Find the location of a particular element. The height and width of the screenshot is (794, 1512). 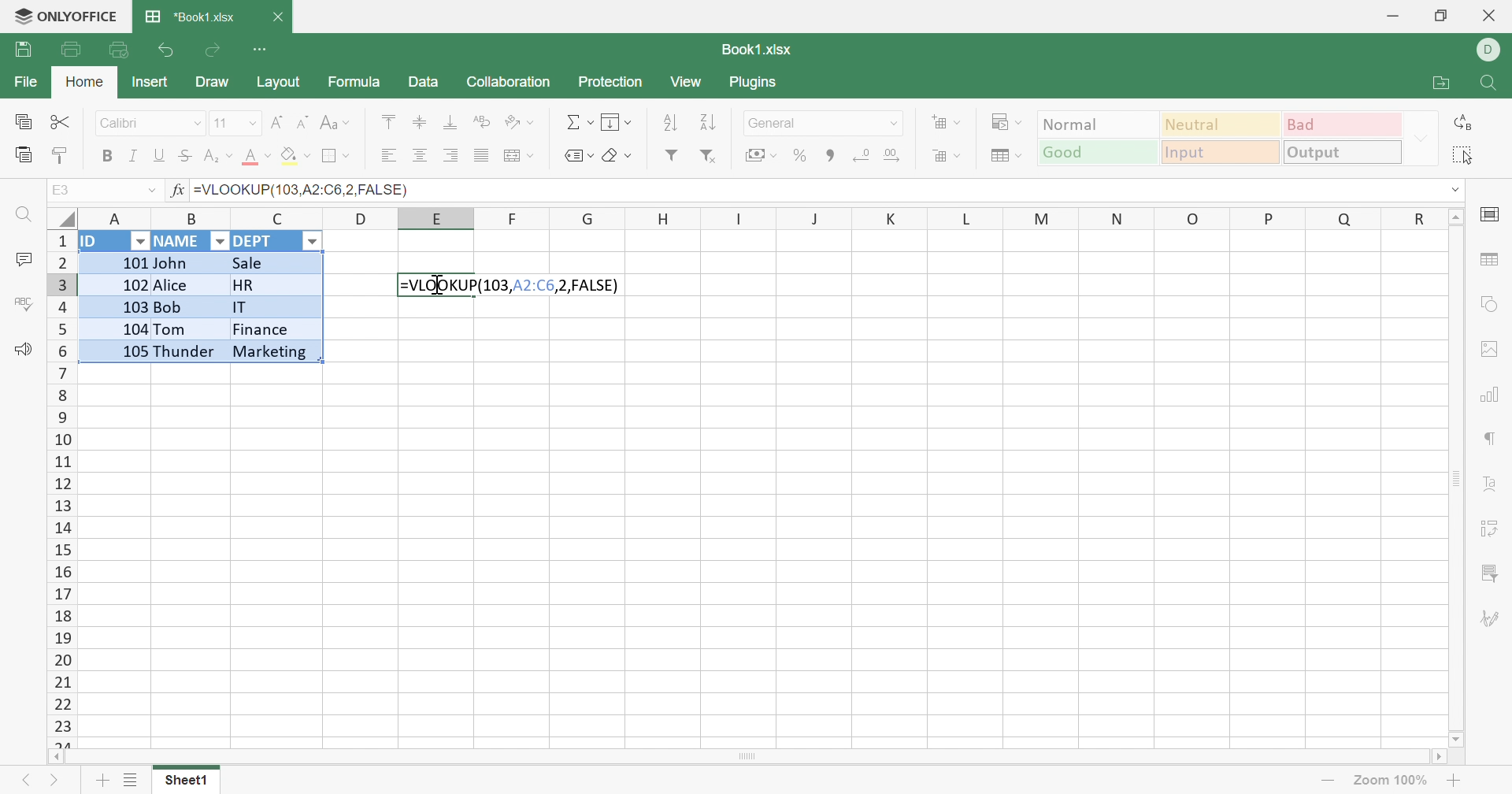

Comma style is located at coordinates (828, 155).